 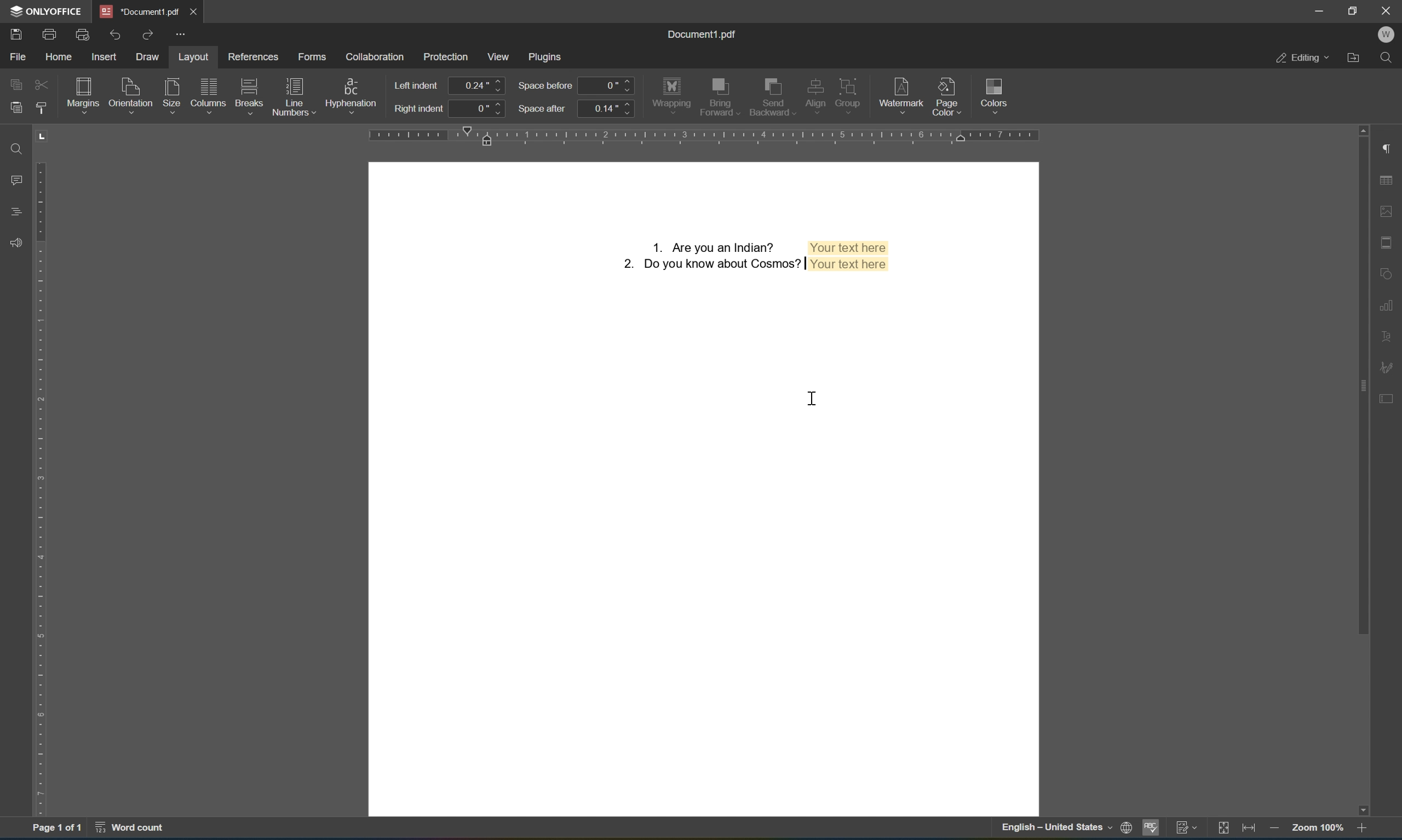 I want to click on orientation, so click(x=130, y=93).